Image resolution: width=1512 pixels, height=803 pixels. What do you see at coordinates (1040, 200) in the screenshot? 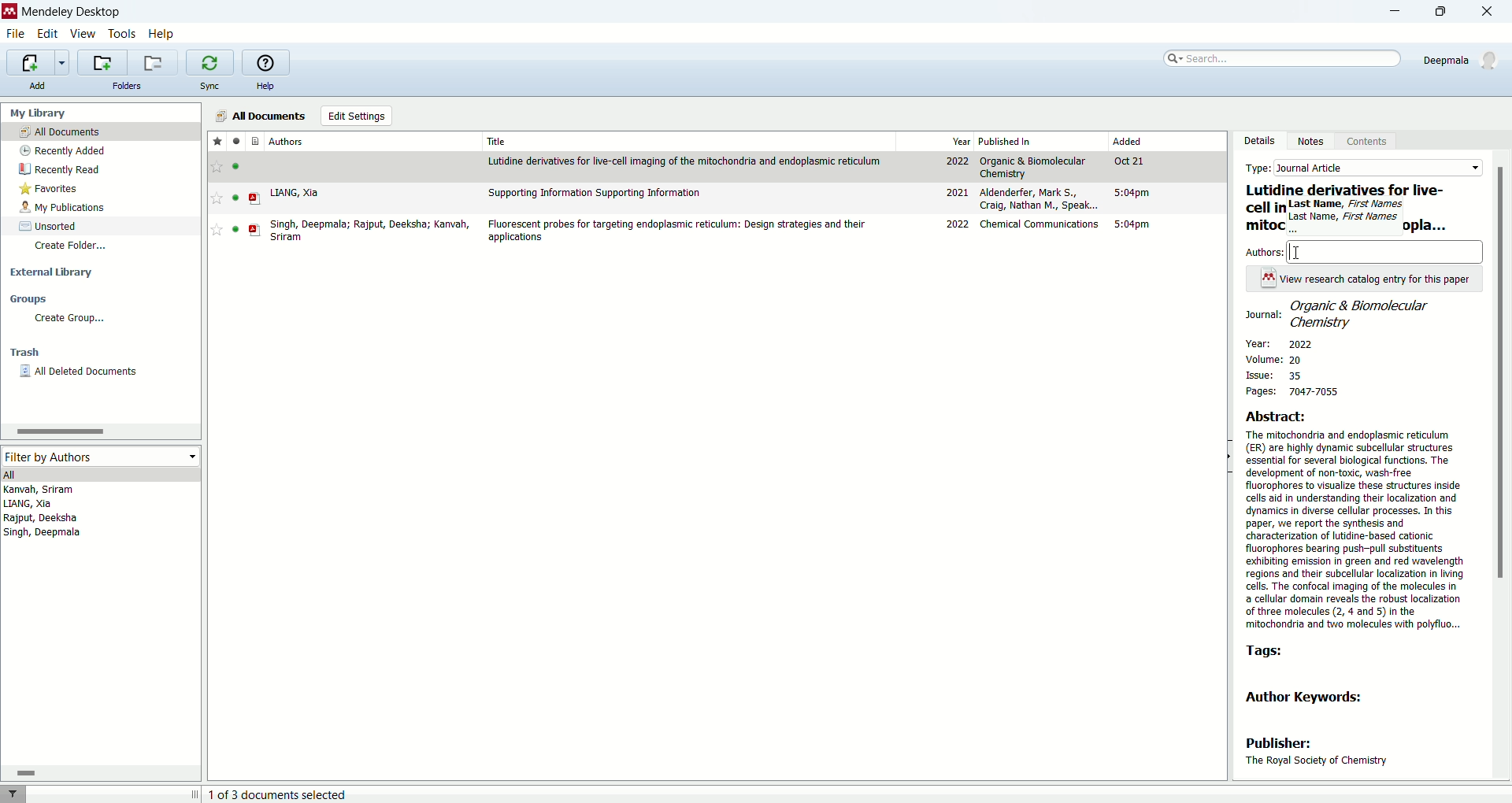
I see `Aldenderfer, Mark S., Craig, Nathan M., Speak...` at bounding box center [1040, 200].